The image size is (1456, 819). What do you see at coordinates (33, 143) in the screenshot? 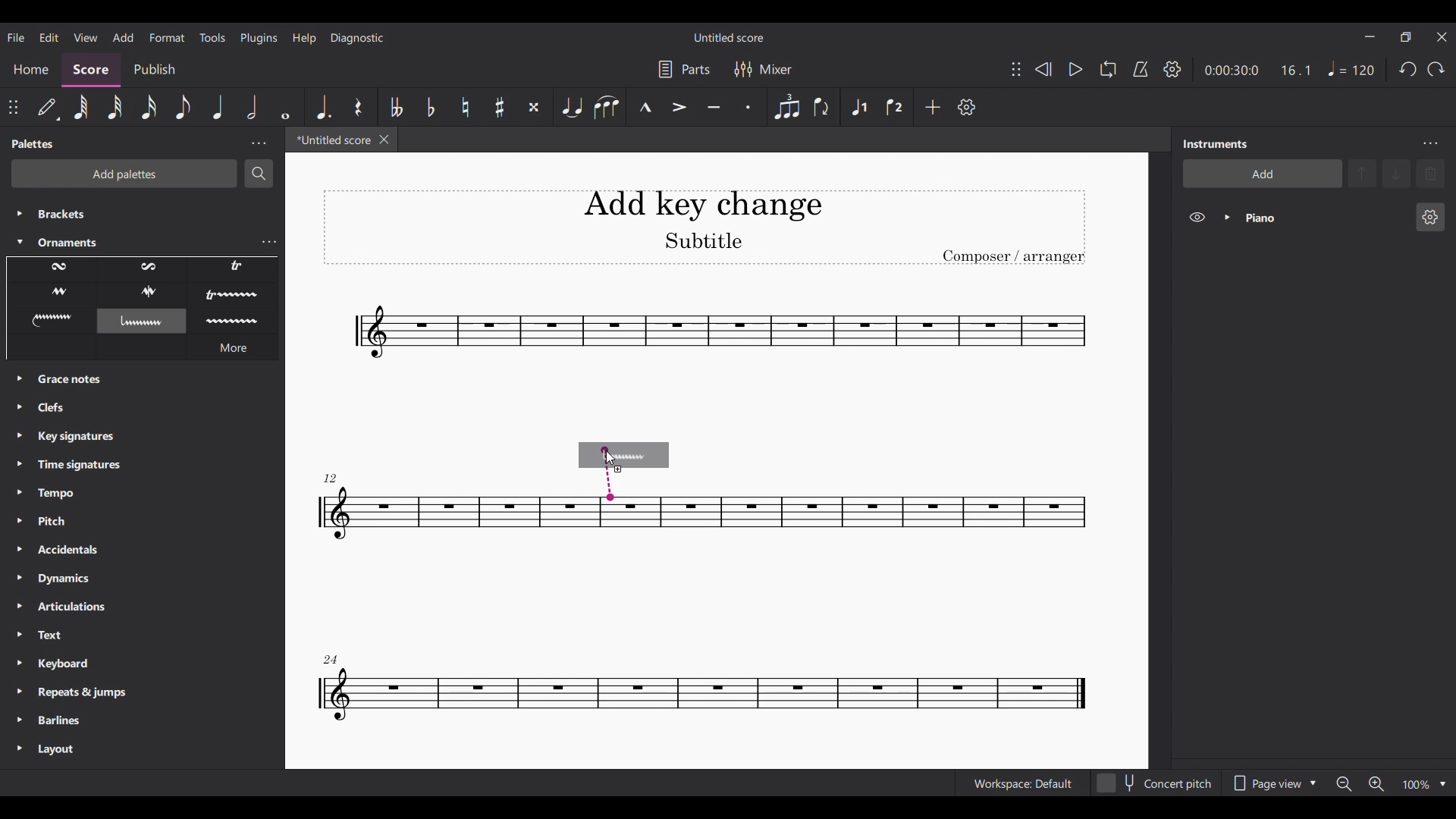
I see `Panel title` at bounding box center [33, 143].